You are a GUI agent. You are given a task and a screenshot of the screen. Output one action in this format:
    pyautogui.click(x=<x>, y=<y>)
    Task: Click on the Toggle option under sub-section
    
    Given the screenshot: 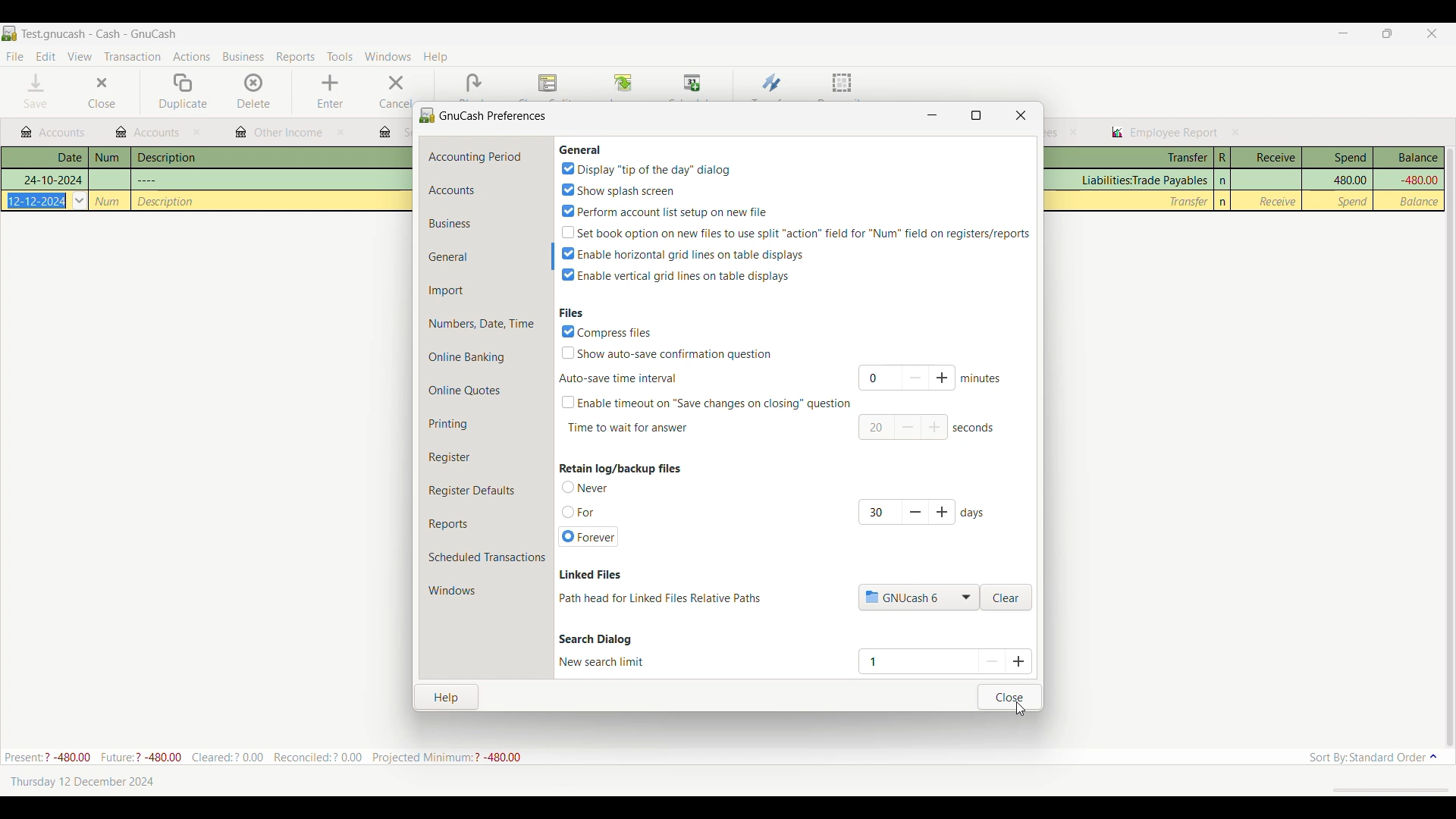 What is the action you would take?
    pyautogui.click(x=705, y=403)
    